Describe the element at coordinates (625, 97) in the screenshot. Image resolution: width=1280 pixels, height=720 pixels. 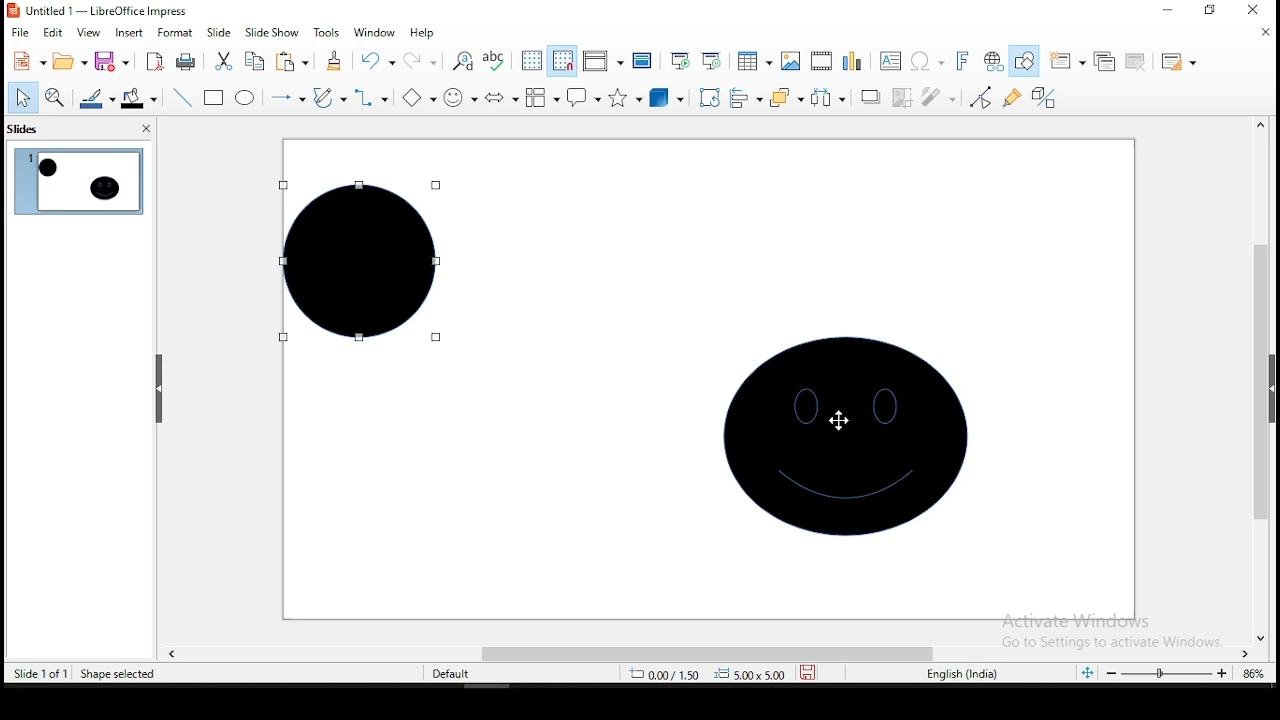
I see `stars and banners` at that location.